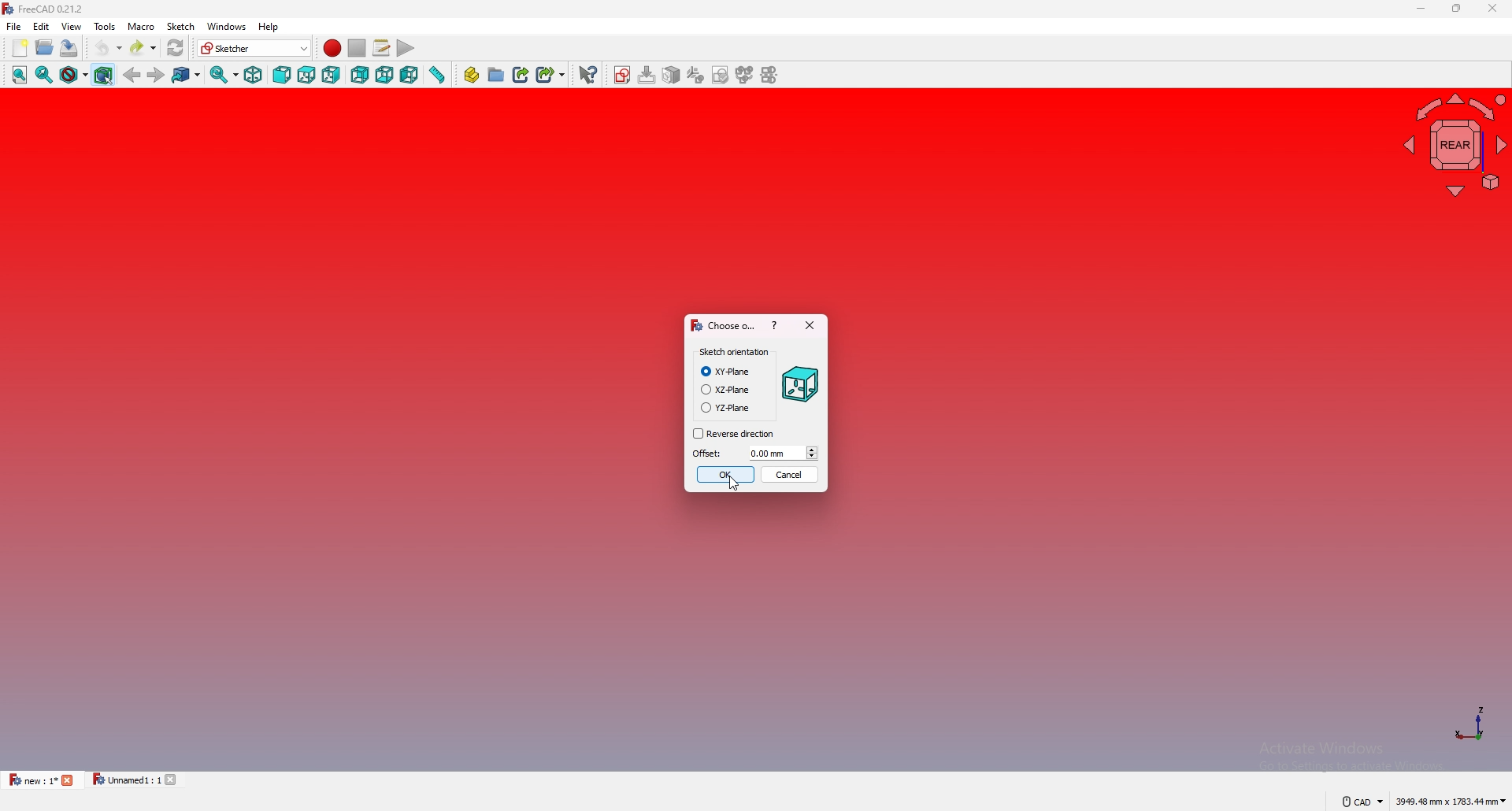 The width and height of the screenshot is (1512, 811). Describe the element at coordinates (332, 49) in the screenshot. I see `record macro` at that location.